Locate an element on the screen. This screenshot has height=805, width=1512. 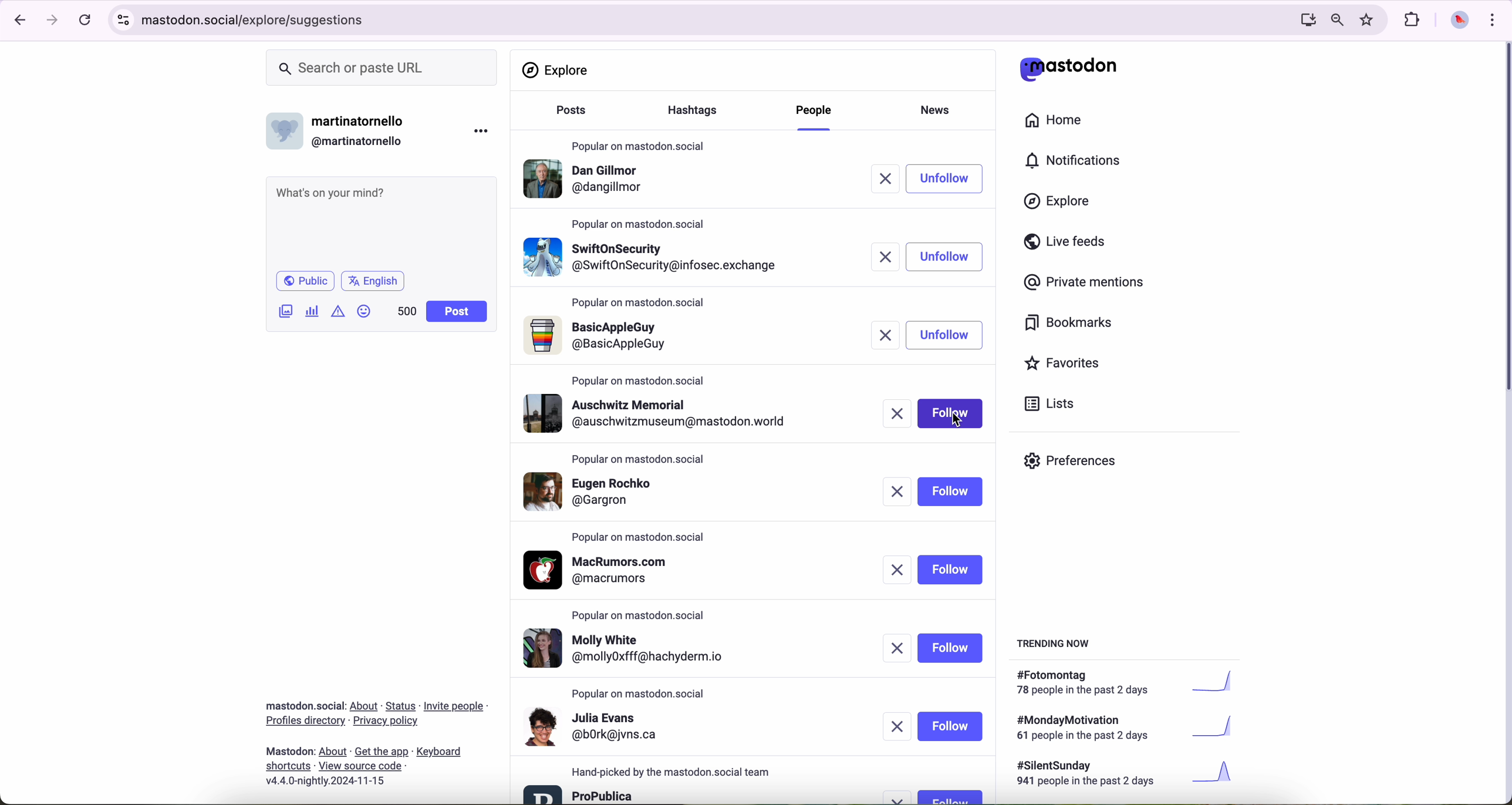
remove is located at coordinates (889, 336).